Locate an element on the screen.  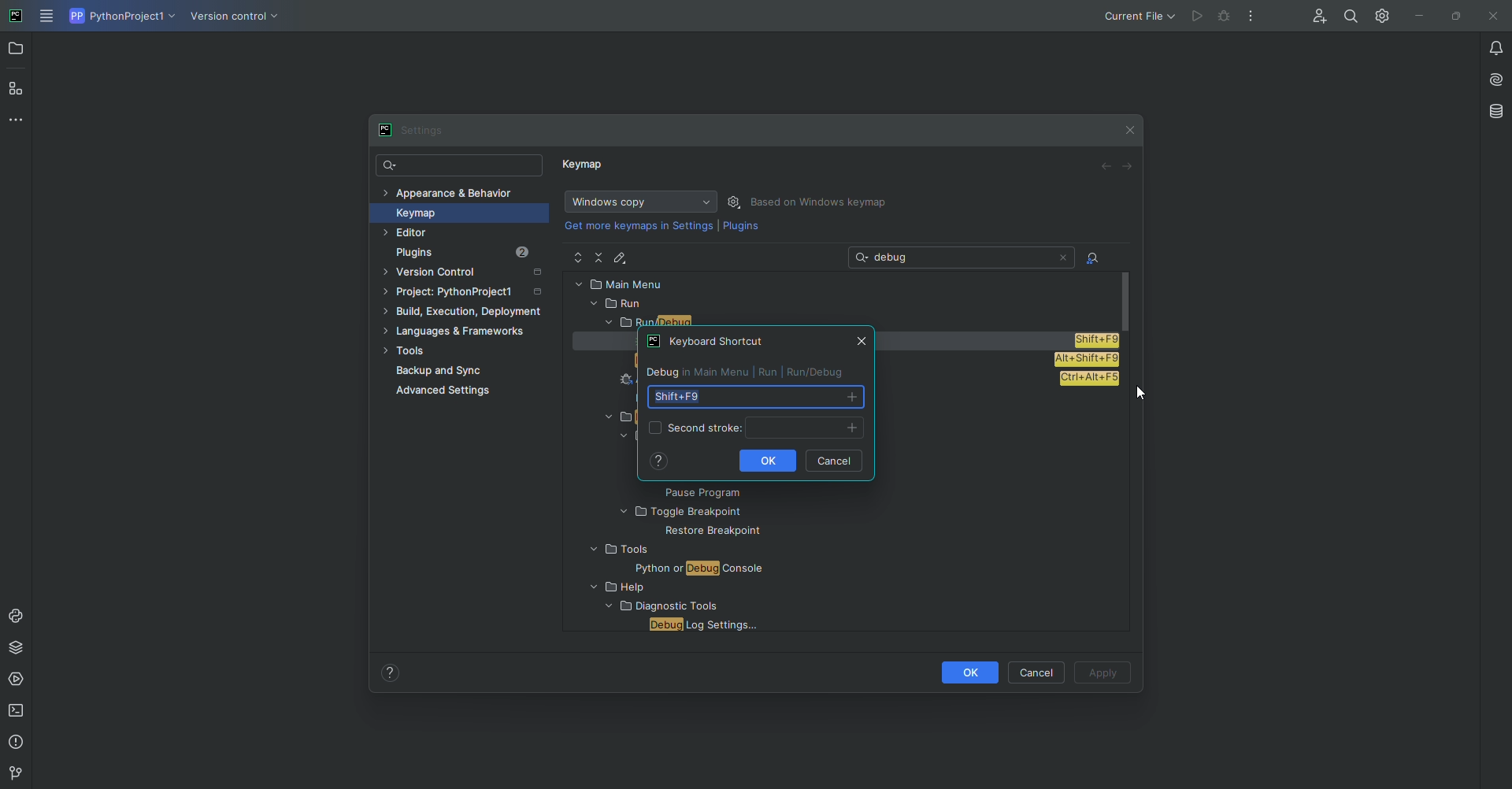
shortcut is located at coordinates (1085, 360).